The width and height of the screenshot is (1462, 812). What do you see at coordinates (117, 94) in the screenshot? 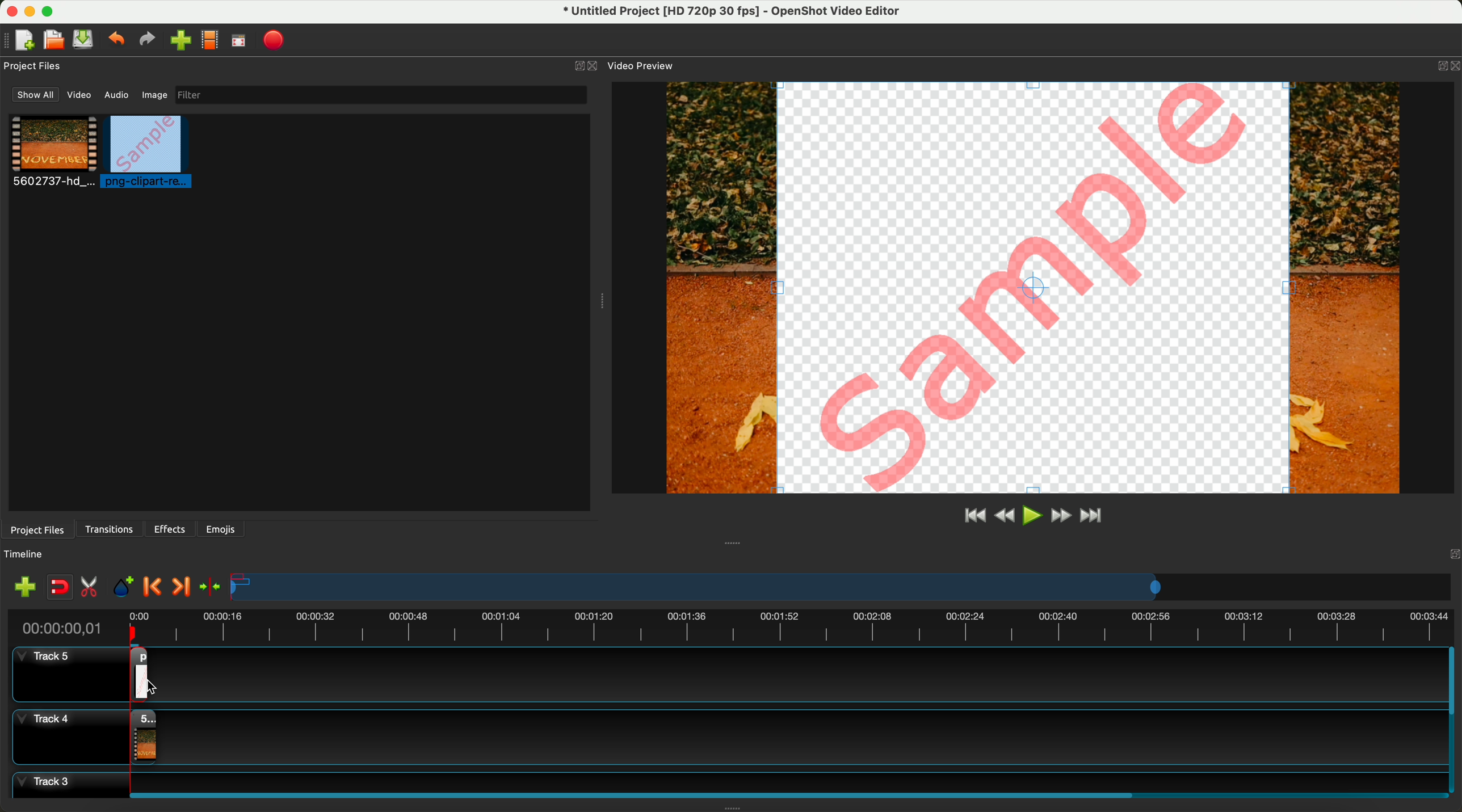
I see `audio` at bounding box center [117, 94].